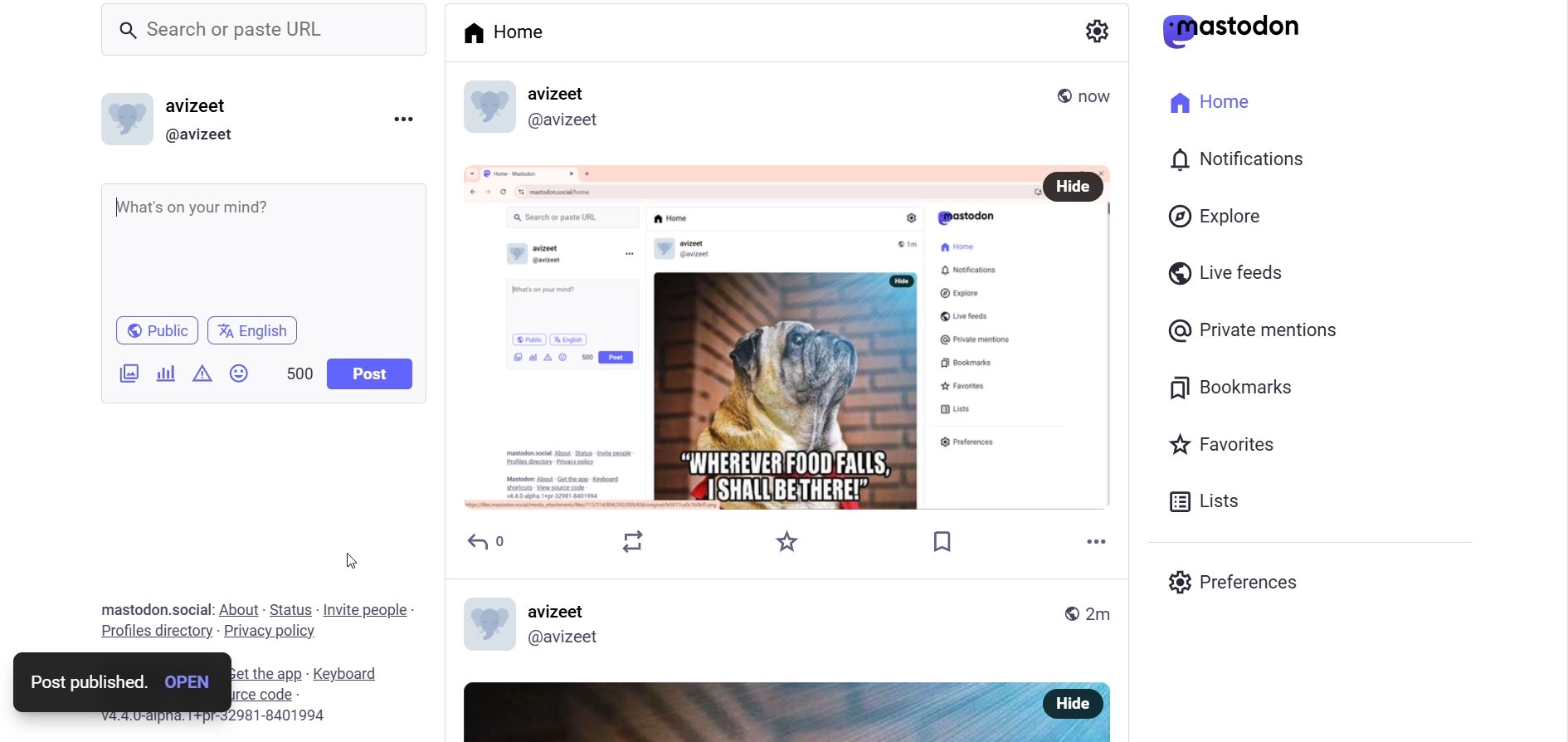  Describe the element at coordinates (244, 722) in the screenshot. I see `v4.4.0-alpha.1+pr-32981-8401994` at that location.